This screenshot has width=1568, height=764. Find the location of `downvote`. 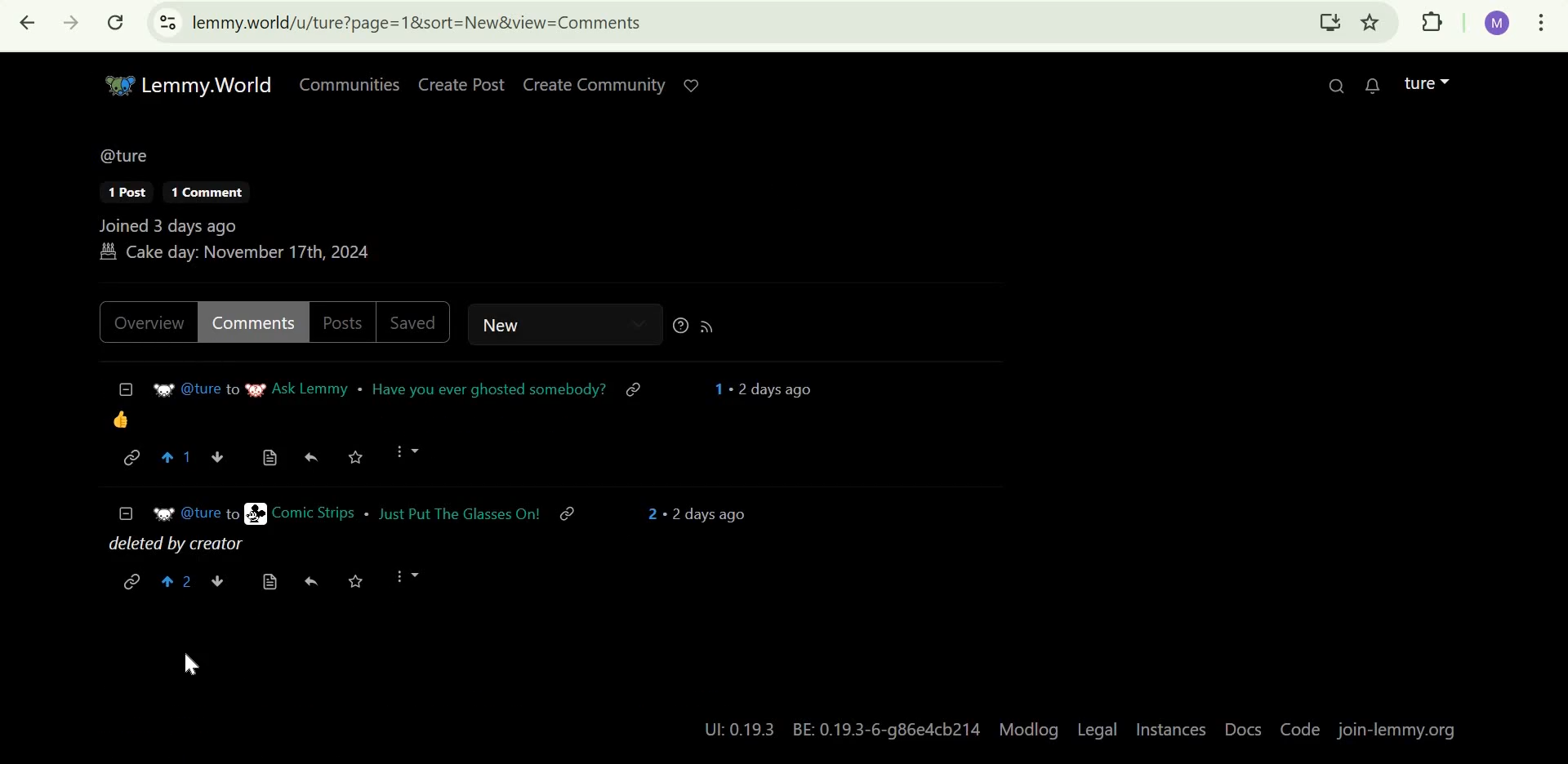

downvote is located at coordinates (218, 580).